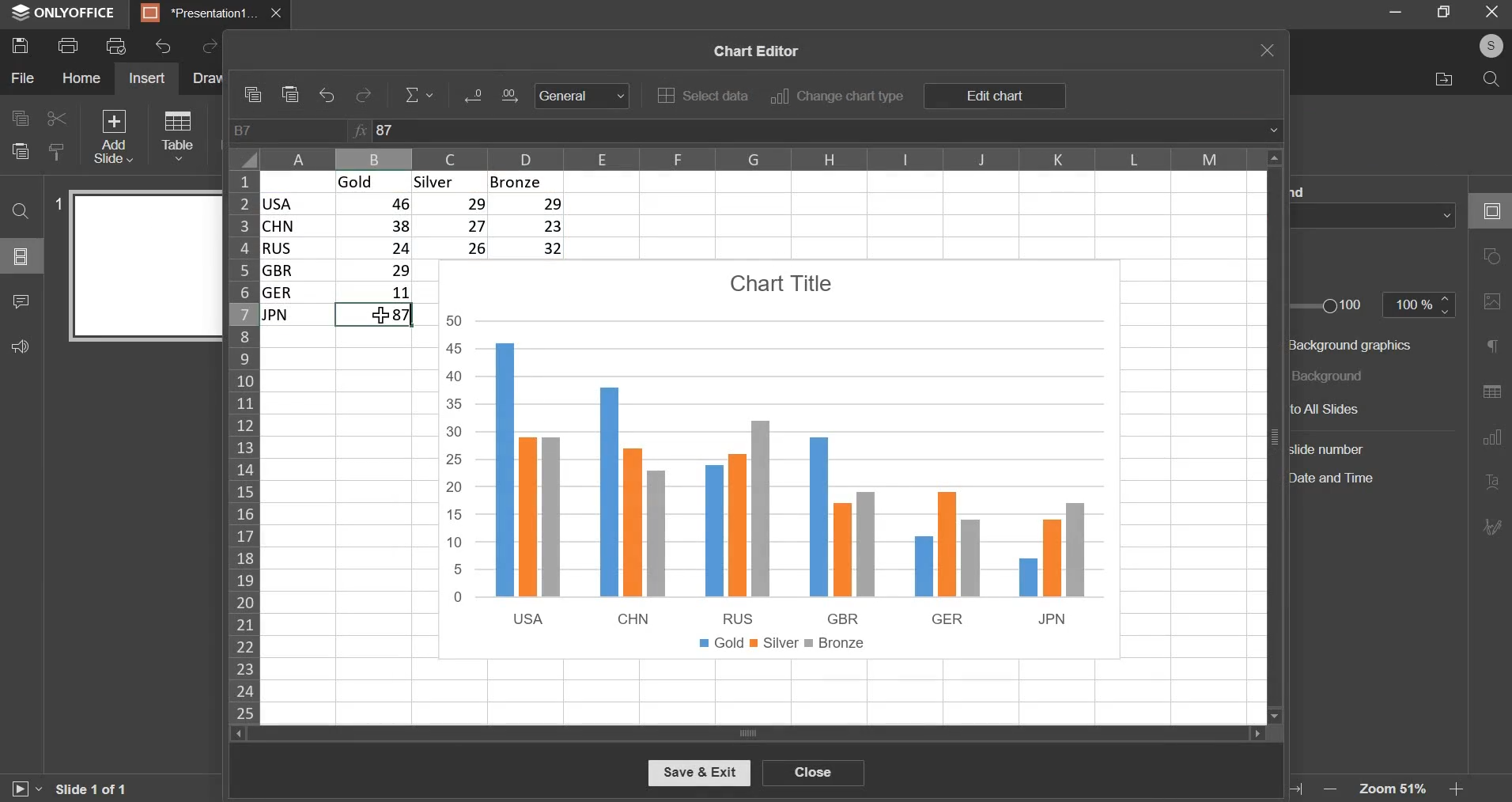  I want to click on undo, so click(328, 96).